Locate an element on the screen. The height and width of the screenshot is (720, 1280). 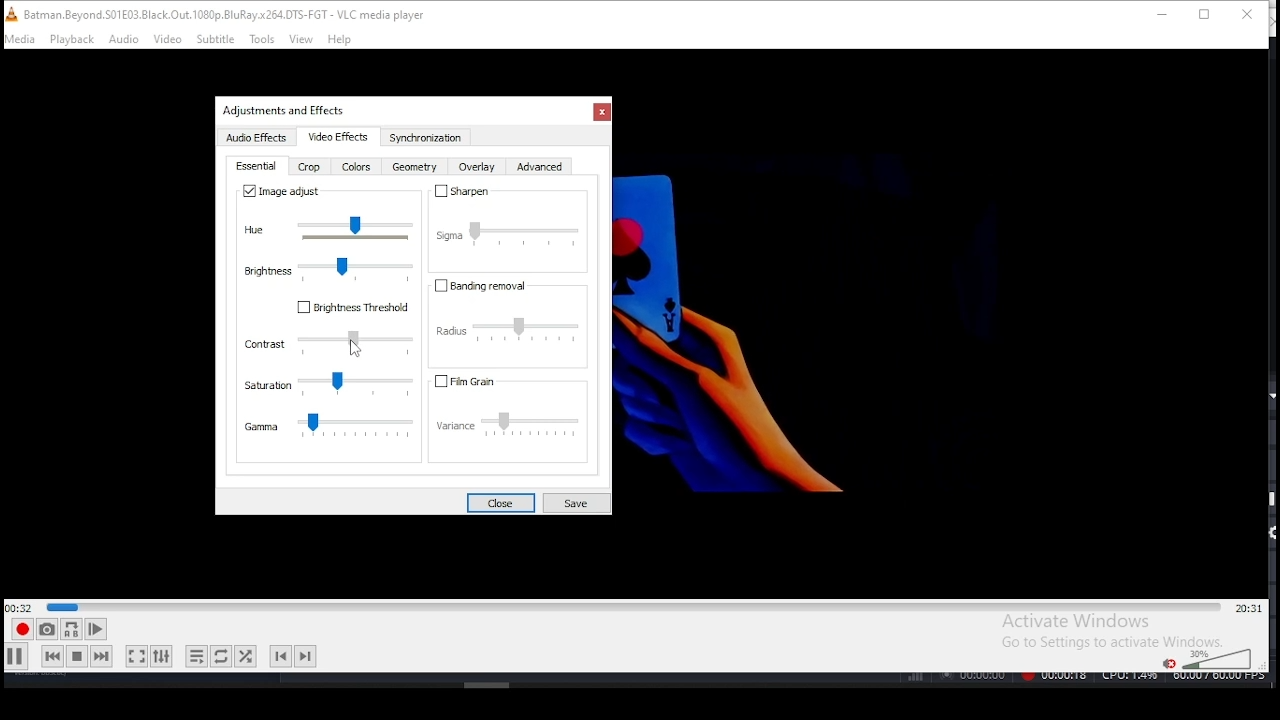
hue slider is located at coordinates (331, 228).